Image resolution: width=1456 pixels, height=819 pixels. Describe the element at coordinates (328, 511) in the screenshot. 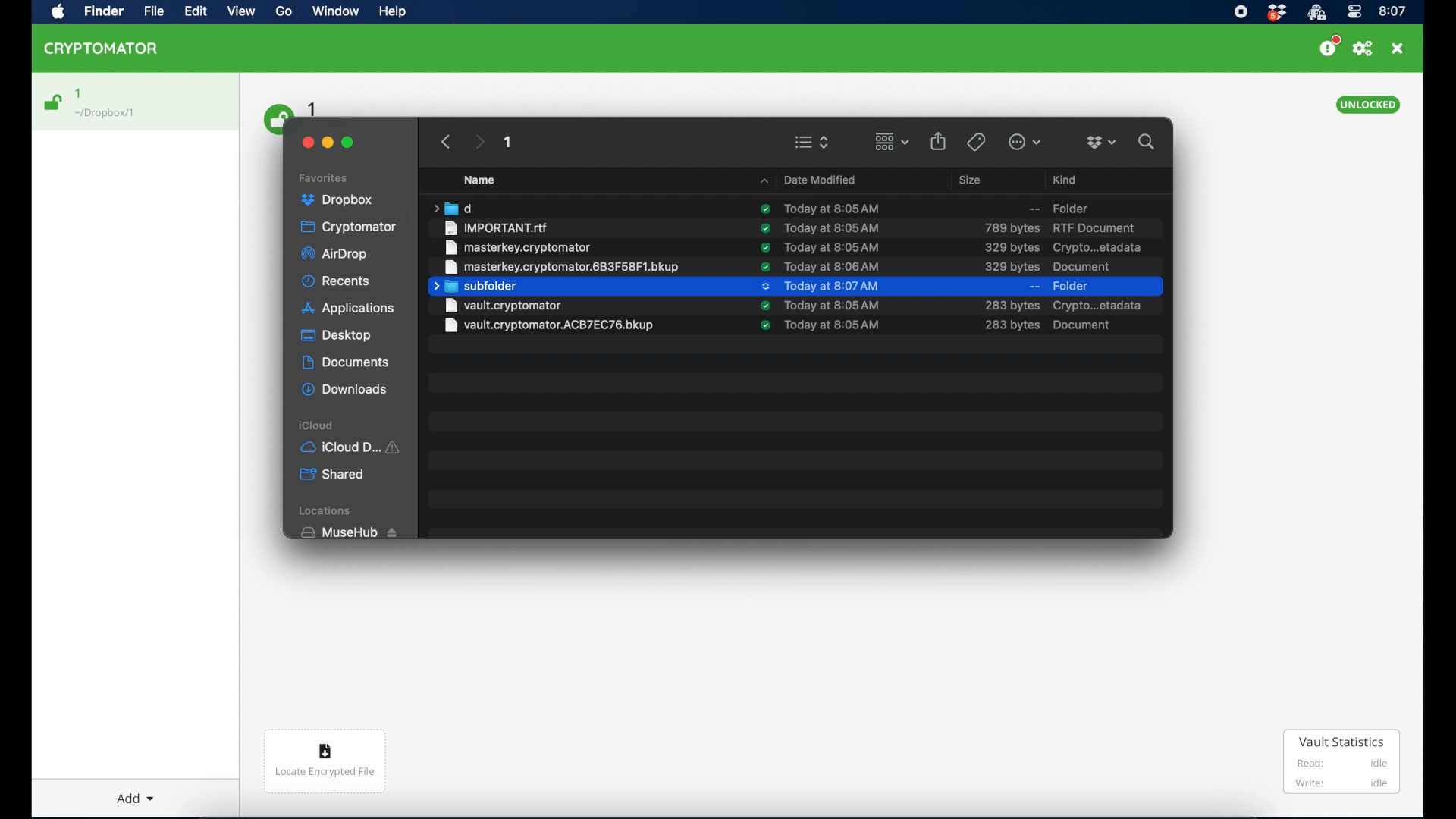

I see `locations` at that location.